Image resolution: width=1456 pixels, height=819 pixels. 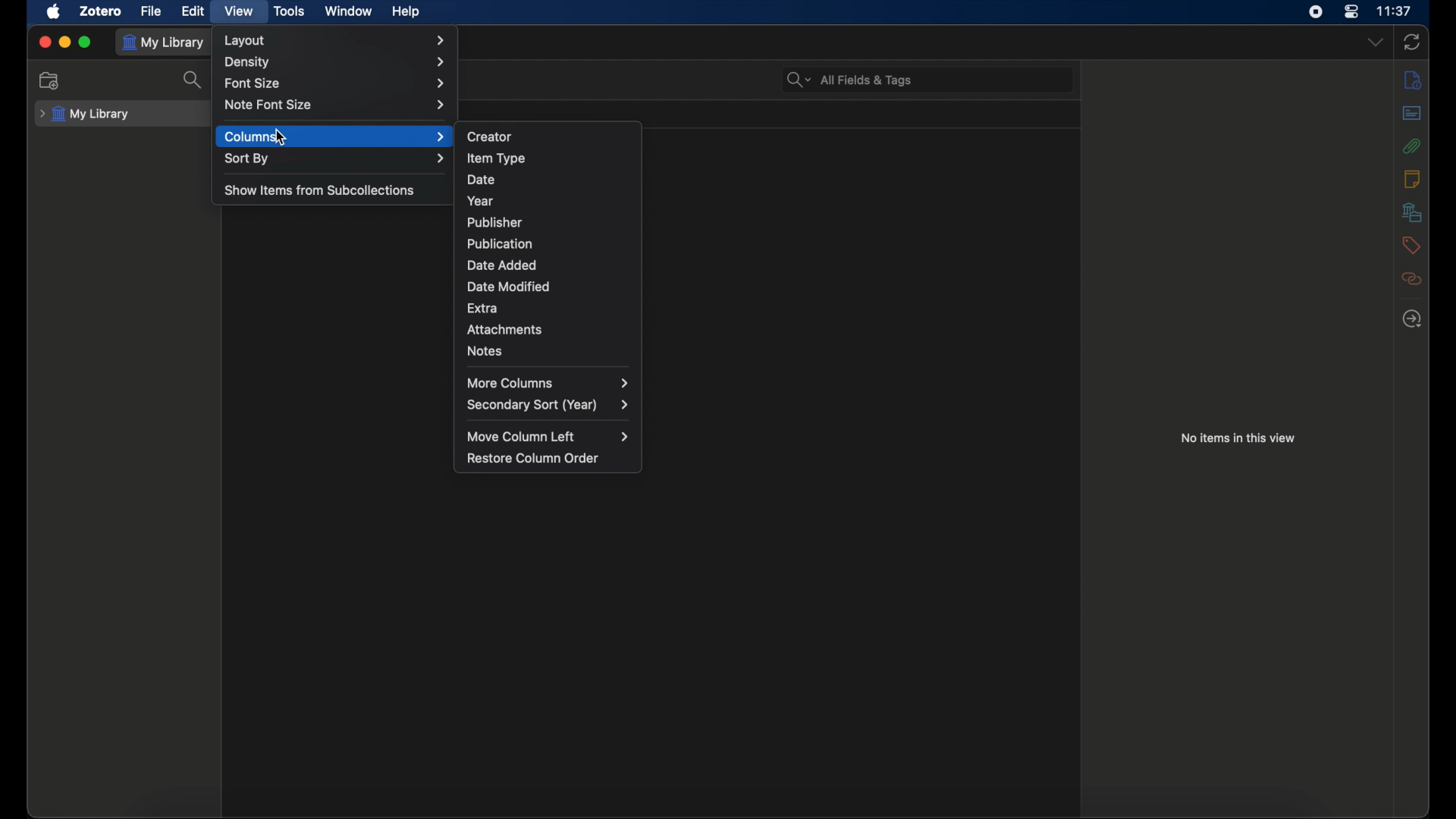 What do you see at coordinates (481, 180) in the screenshot?
I see `date` at bounding box center [481, 180].